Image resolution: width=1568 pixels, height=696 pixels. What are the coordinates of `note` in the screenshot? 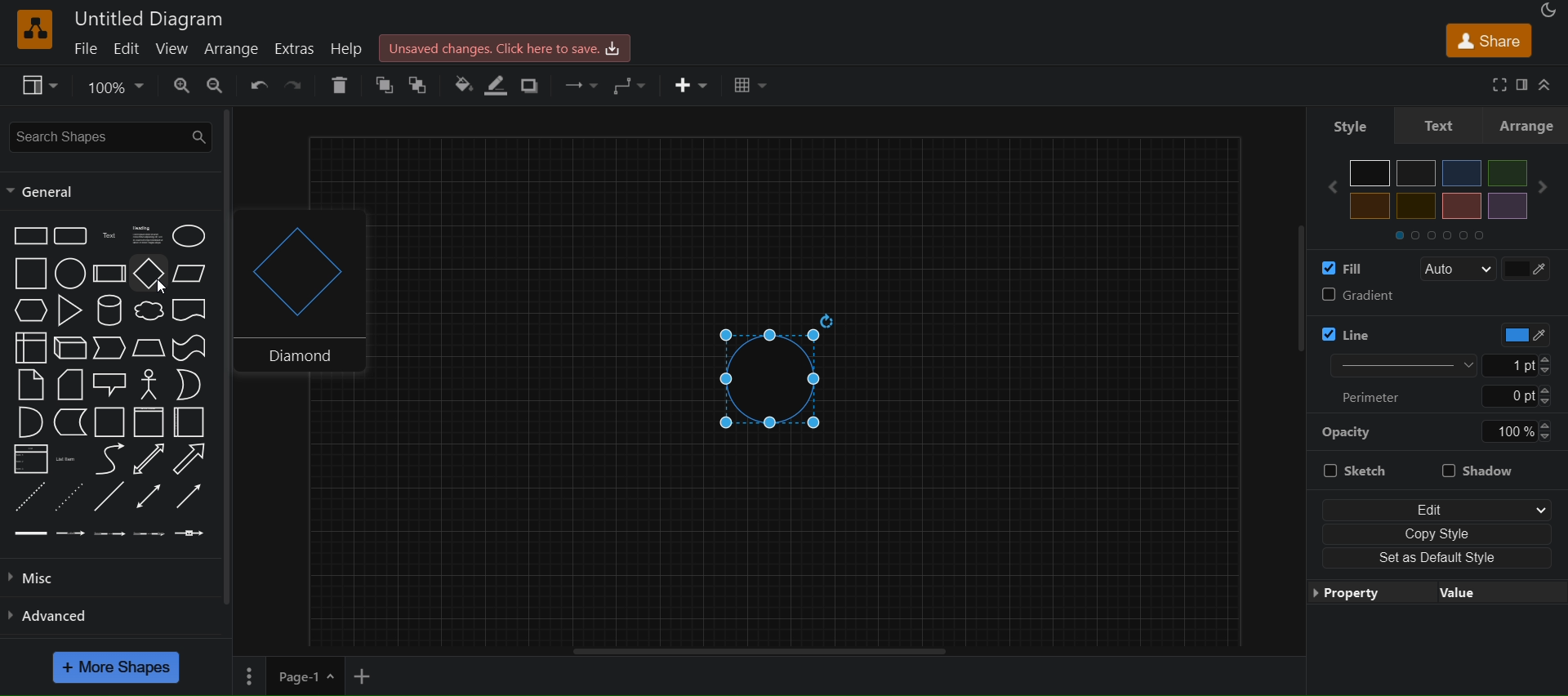 It's located at (29, 384).